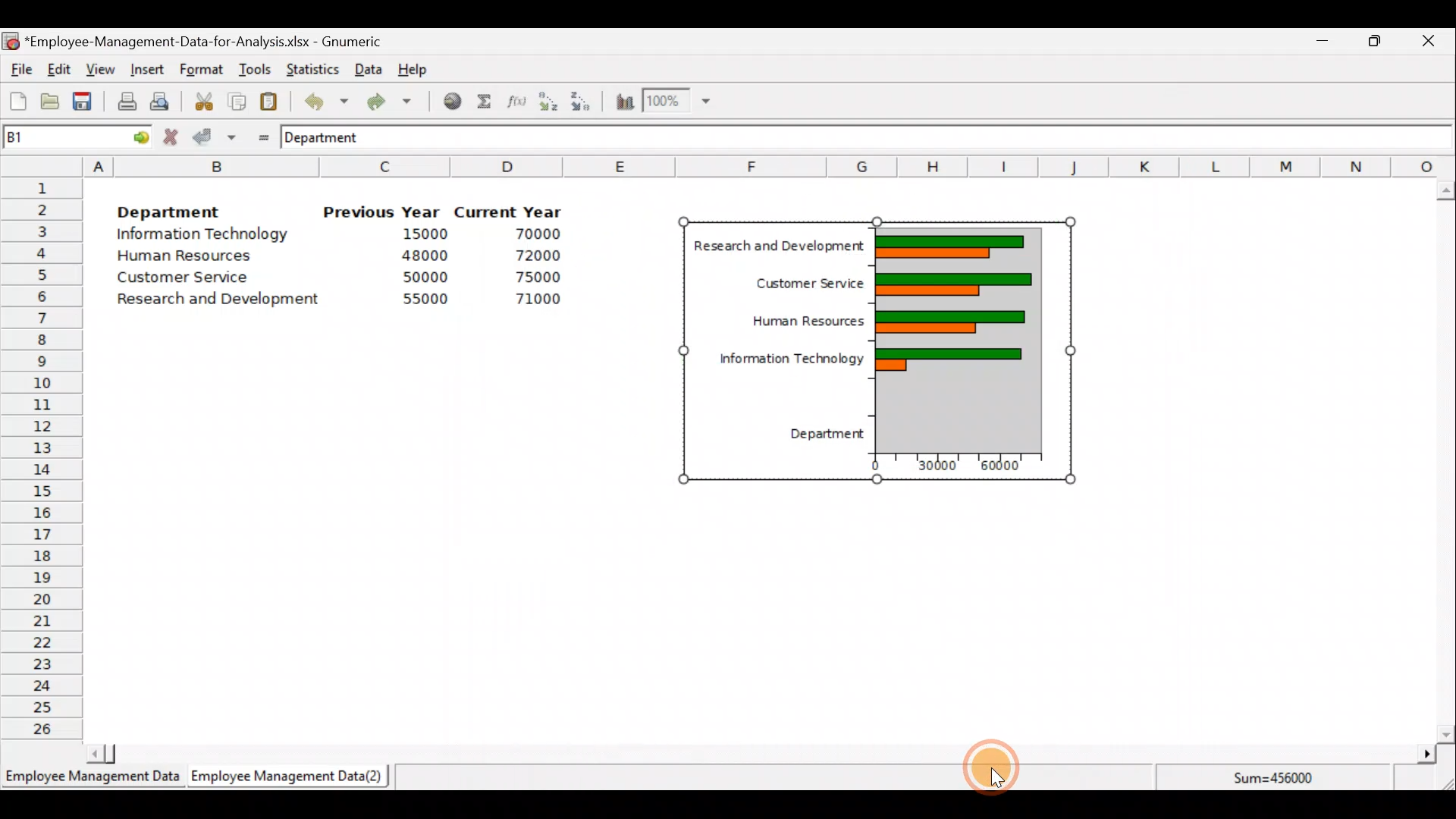 This screenshot has height=819, width=1456. Describe the element at coordinates (254, 71) in the screenshot. I see `Tools` at that location.